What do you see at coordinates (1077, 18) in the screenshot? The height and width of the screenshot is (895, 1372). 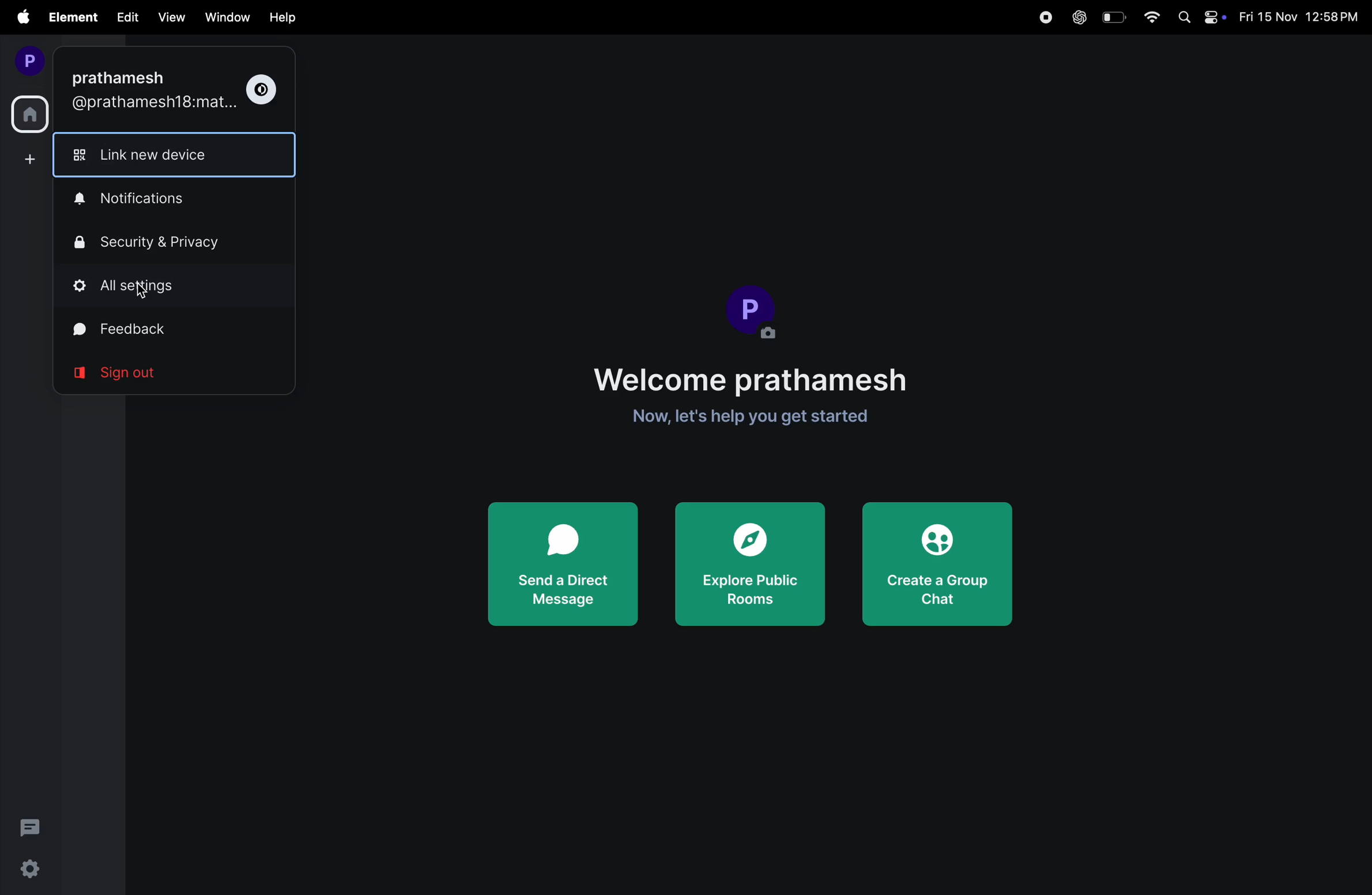 I see `chatgpt` at bounding box center [1077, 18].